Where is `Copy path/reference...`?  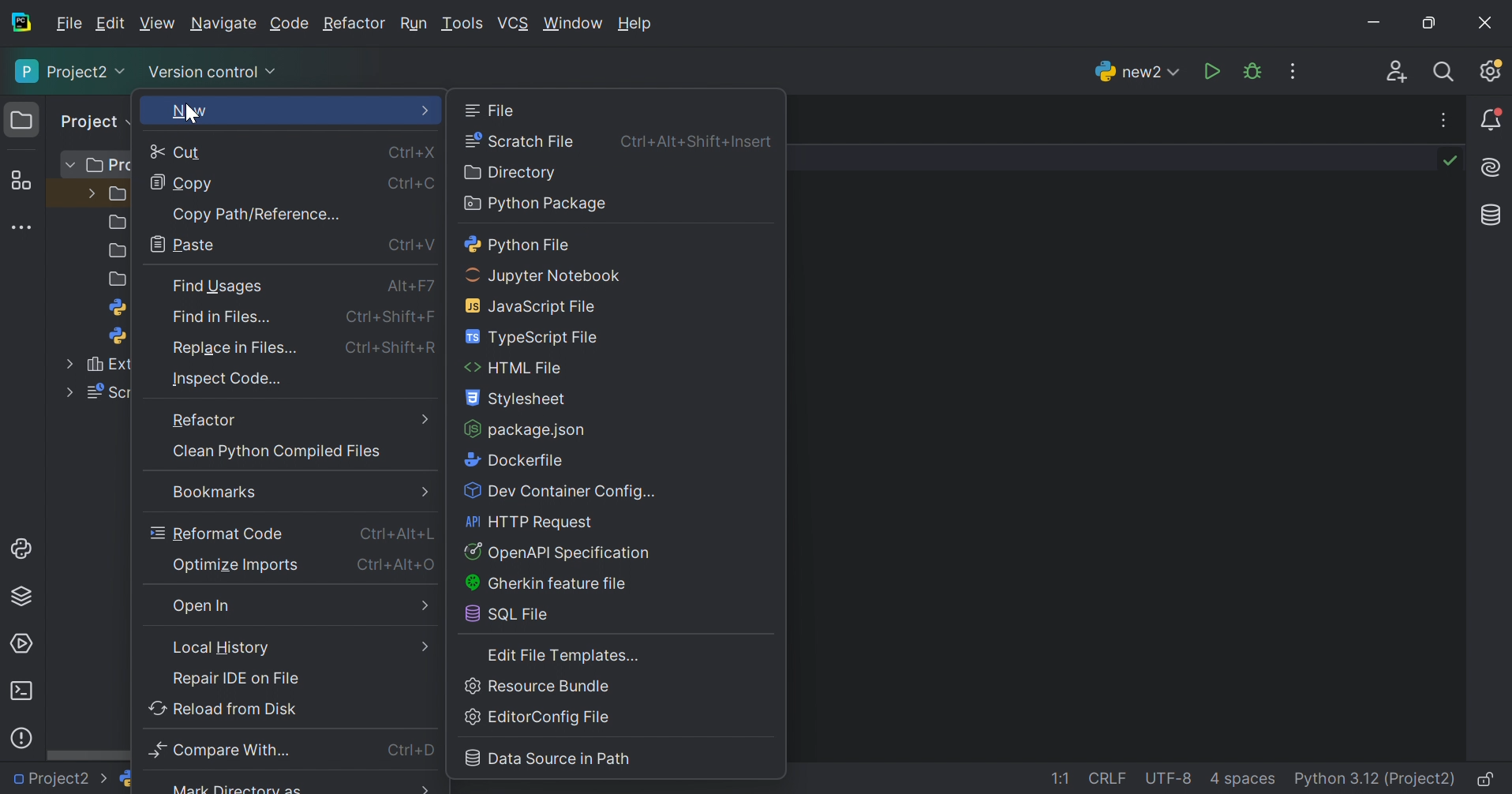 Copy path/reference... is located at coordinates (256, 212).